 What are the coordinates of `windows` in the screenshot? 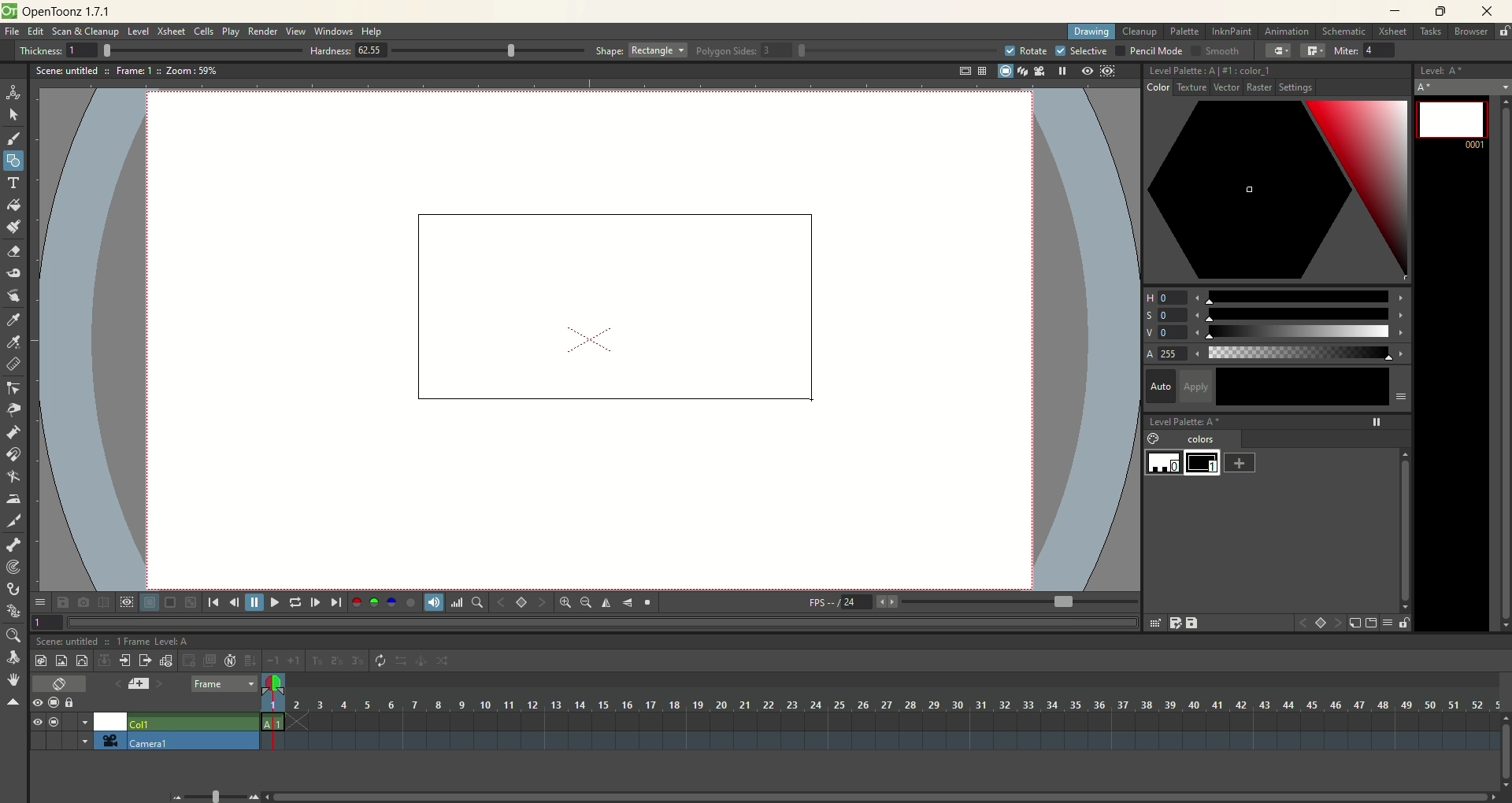 It's located at (335, 31).